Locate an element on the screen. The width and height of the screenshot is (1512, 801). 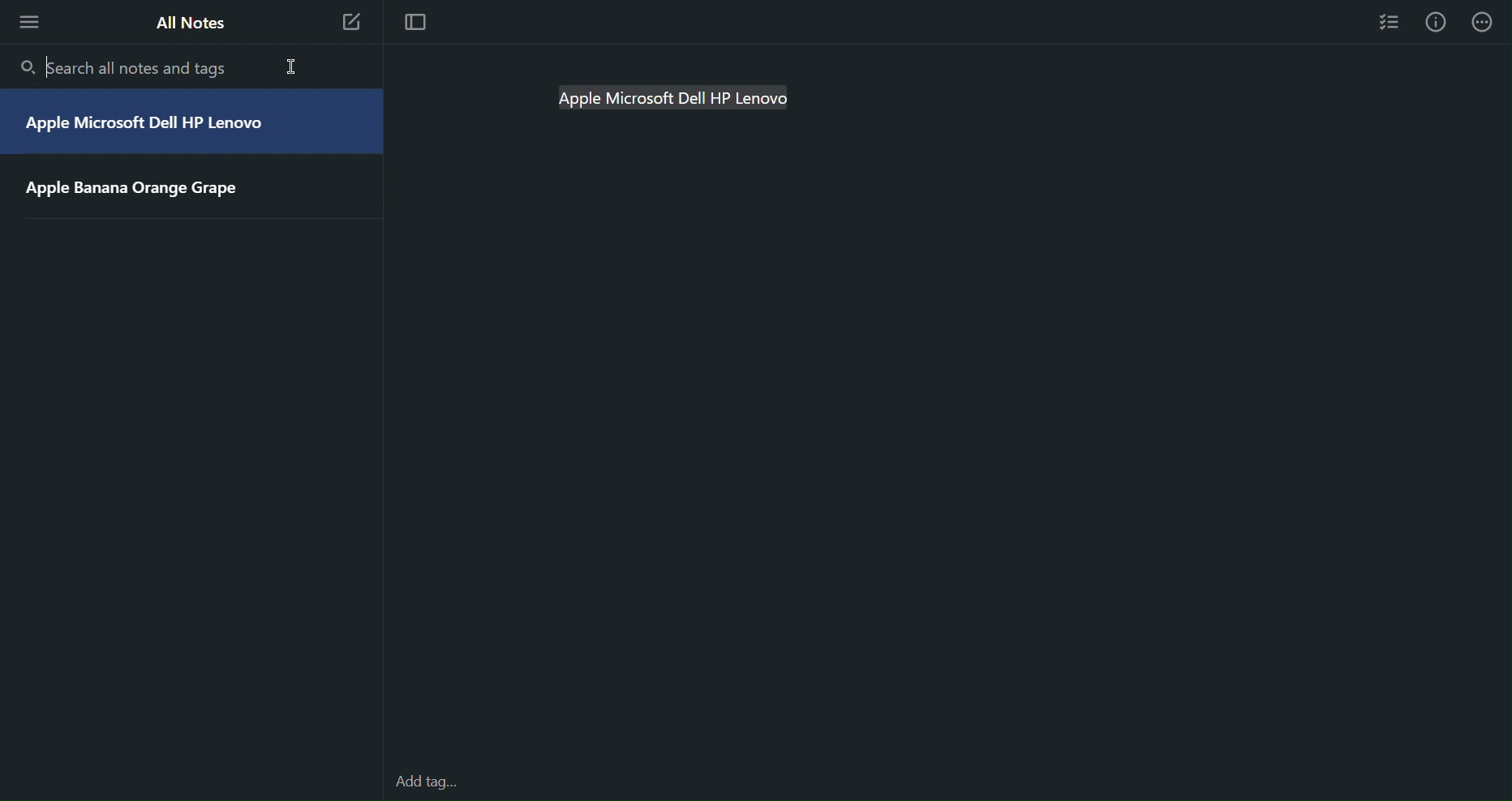
Apple Banana Orange Grape is located at coordinates (139, 188).